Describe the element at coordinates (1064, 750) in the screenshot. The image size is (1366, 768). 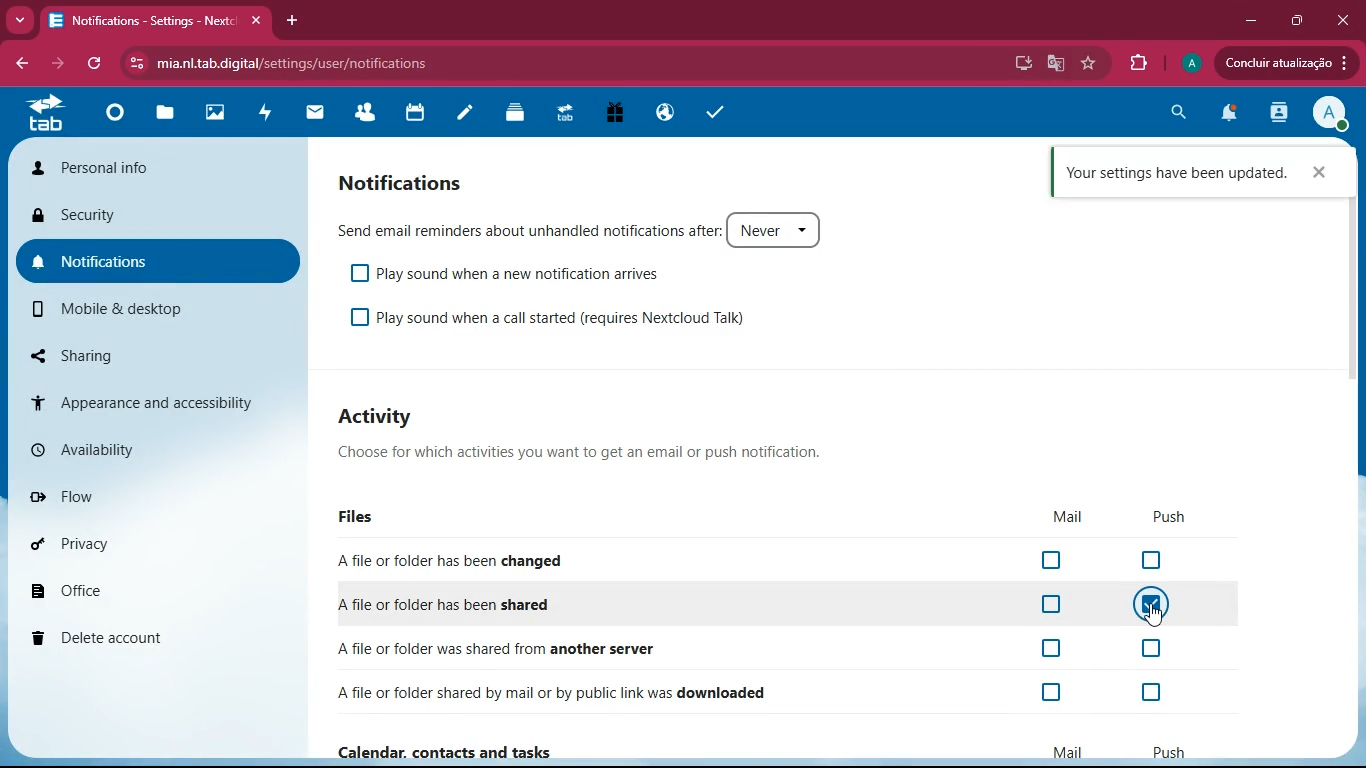
I see `mail` at that location.